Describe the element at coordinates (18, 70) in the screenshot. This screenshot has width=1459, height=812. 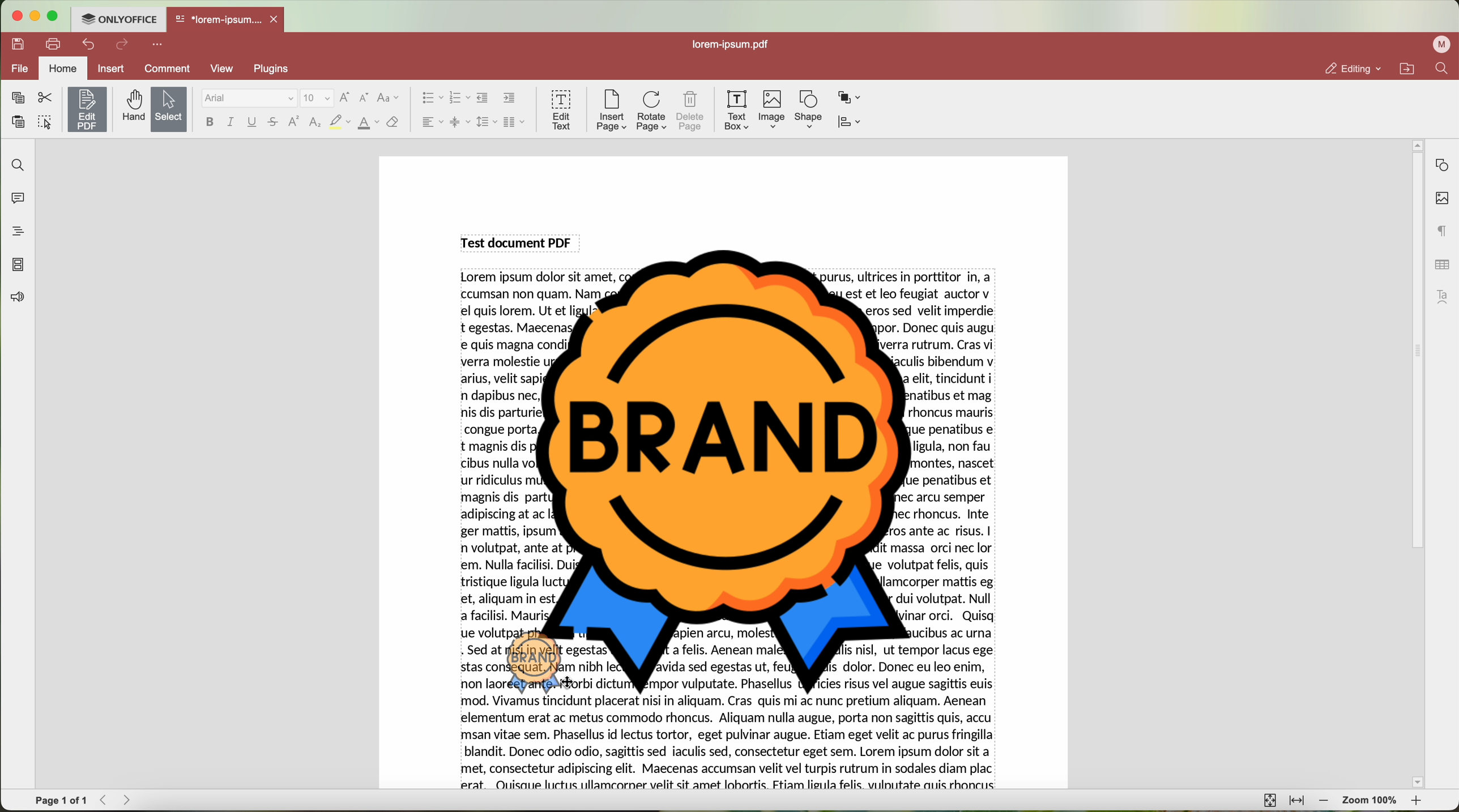
I see `file` at that location.